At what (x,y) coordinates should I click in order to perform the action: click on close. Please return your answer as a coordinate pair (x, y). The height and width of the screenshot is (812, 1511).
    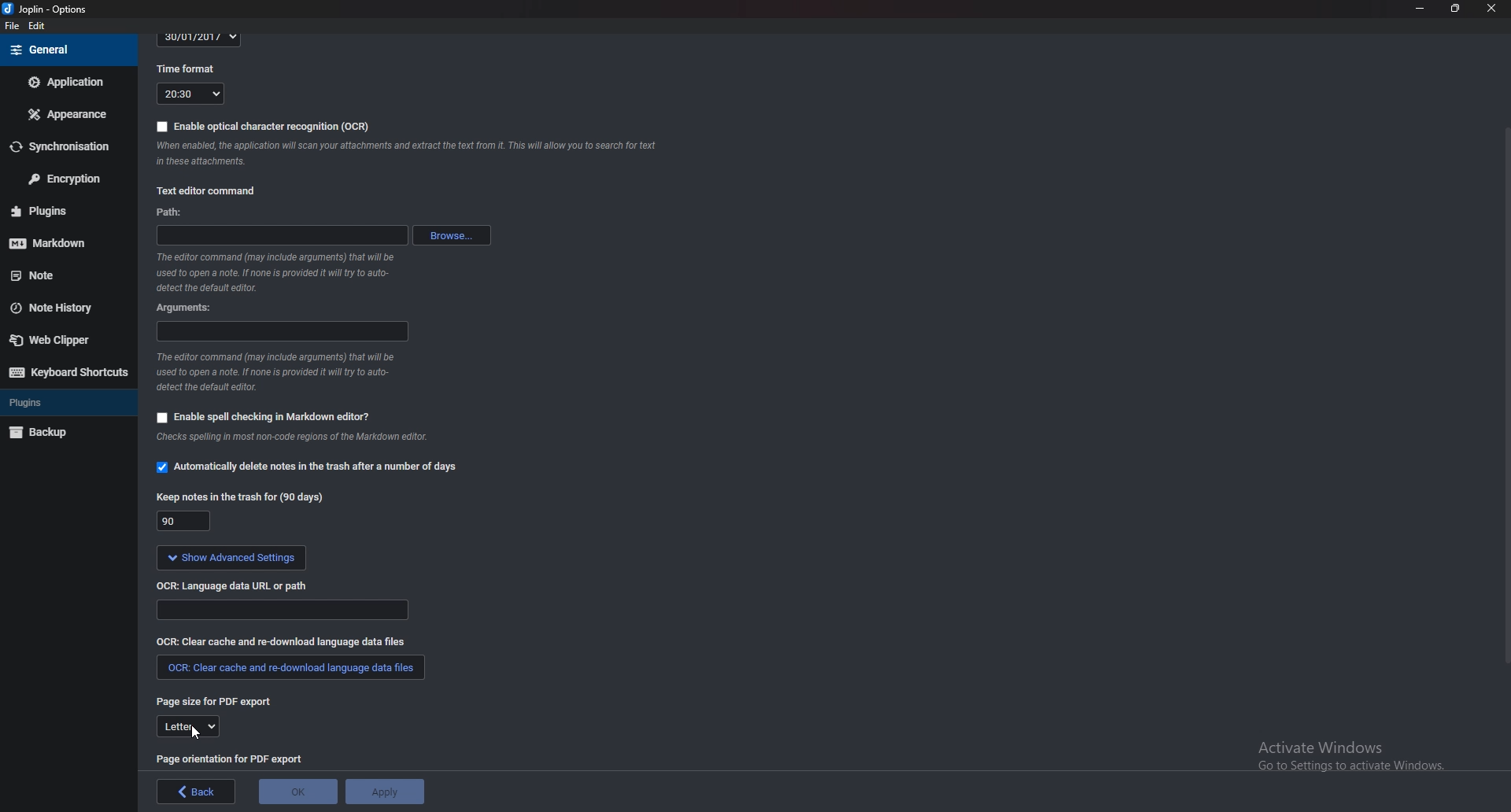
    Looking at the image, I should click on (1490, 9).